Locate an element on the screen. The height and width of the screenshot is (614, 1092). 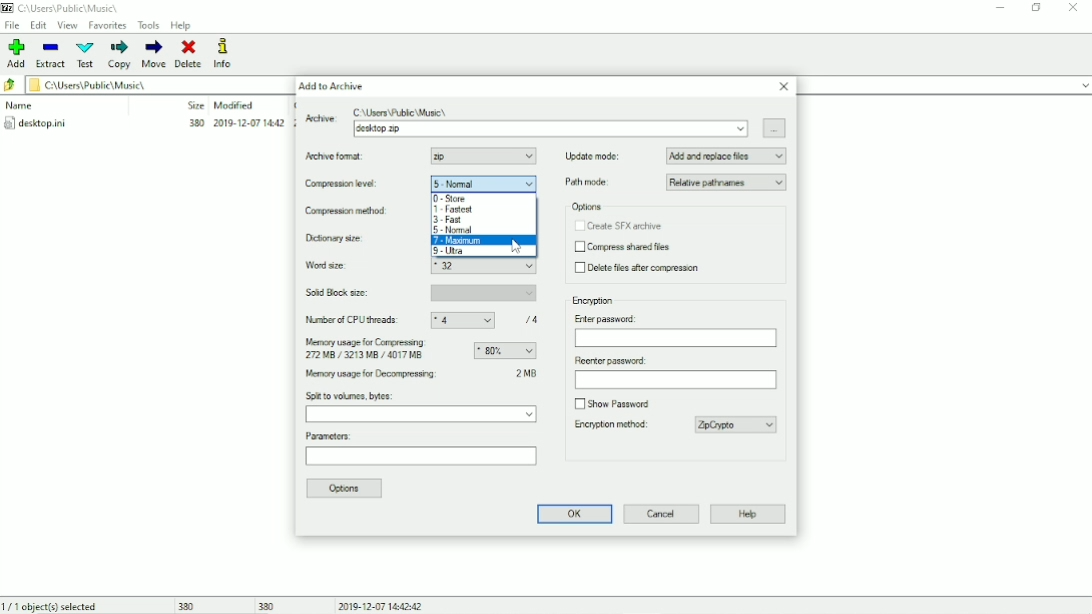
Path mode is located at coordinates (675, 183).